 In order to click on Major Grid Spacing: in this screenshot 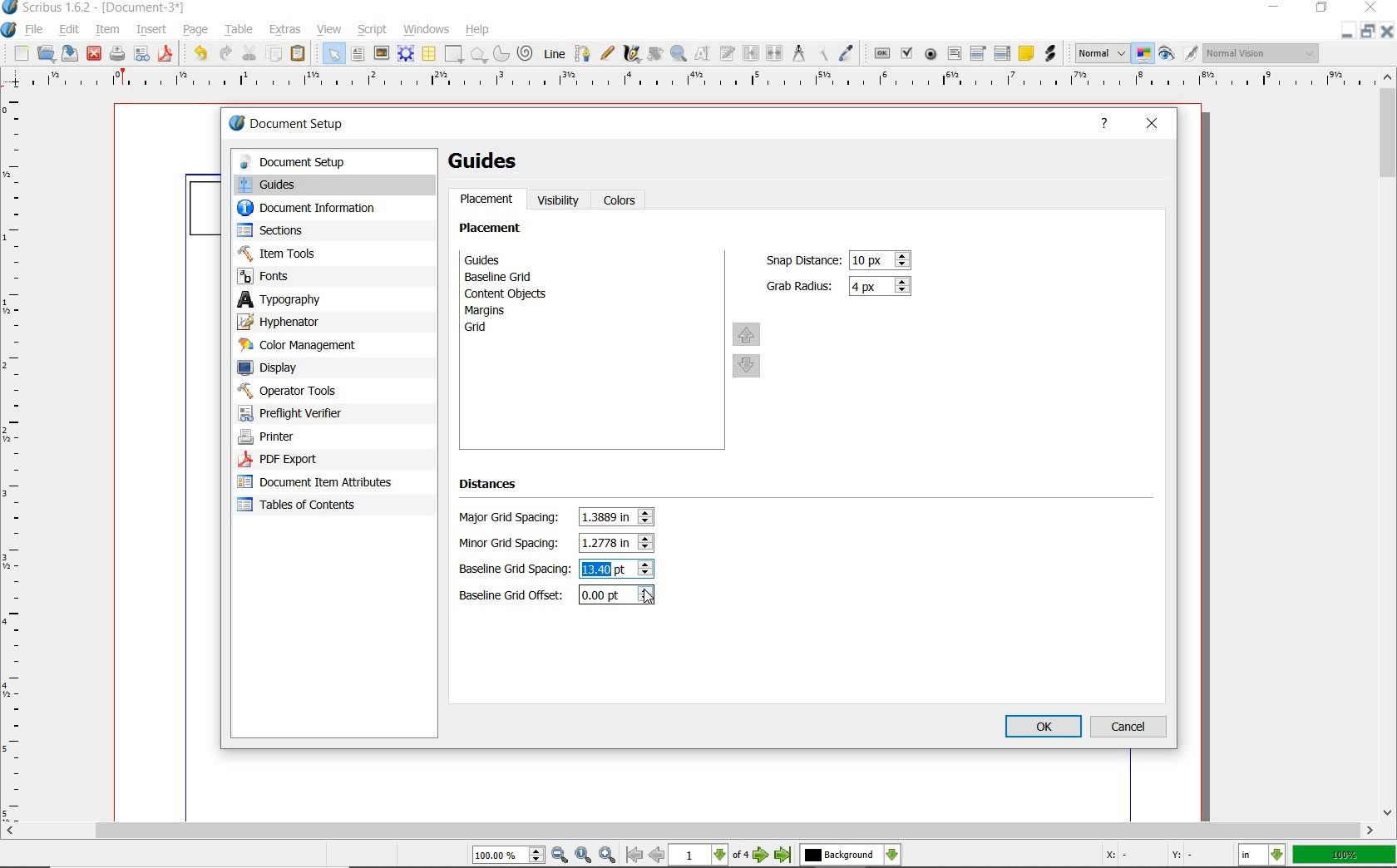, I will do `click(513, 518)`.